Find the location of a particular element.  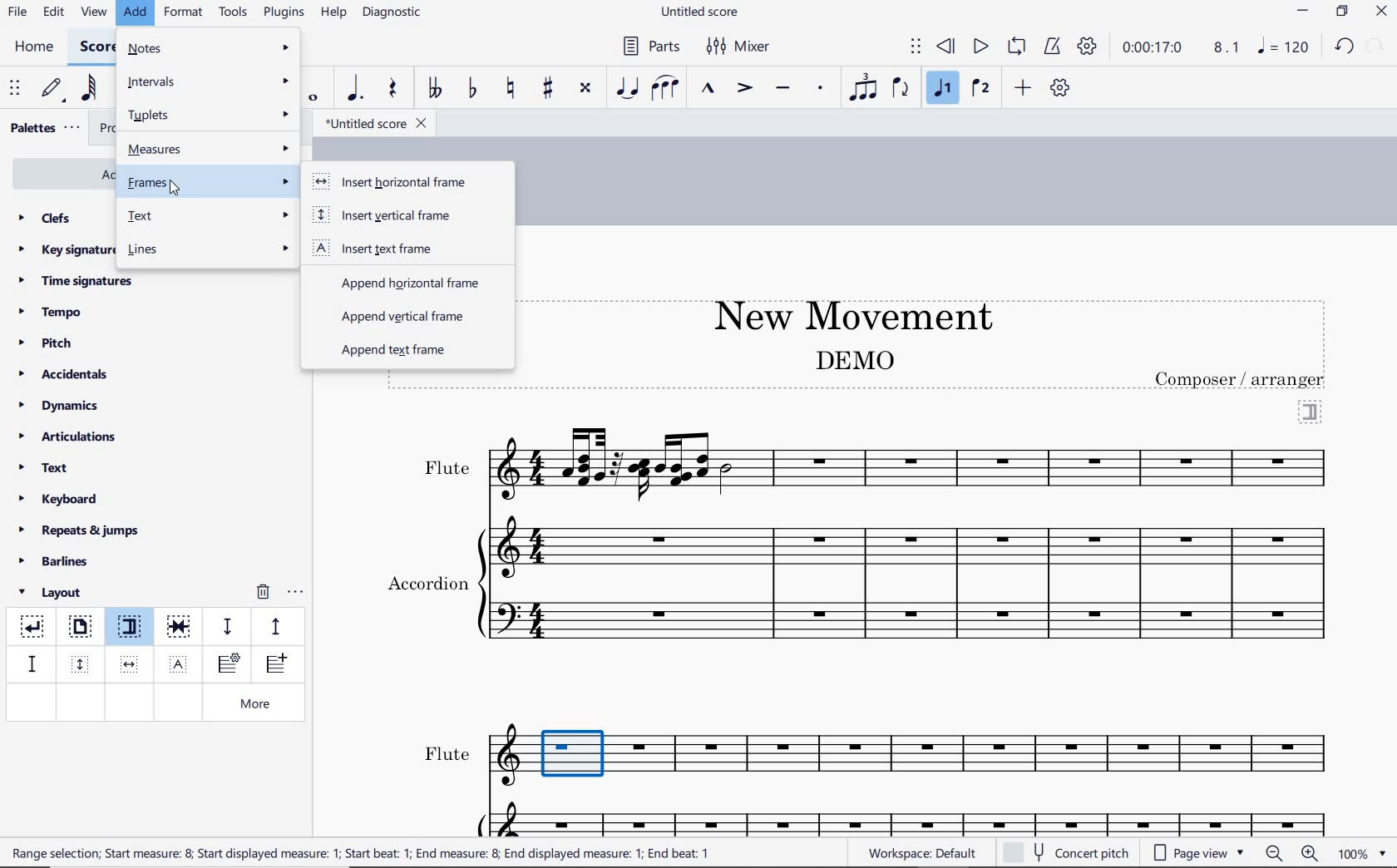

palettes is located at coordinates (43, 129).